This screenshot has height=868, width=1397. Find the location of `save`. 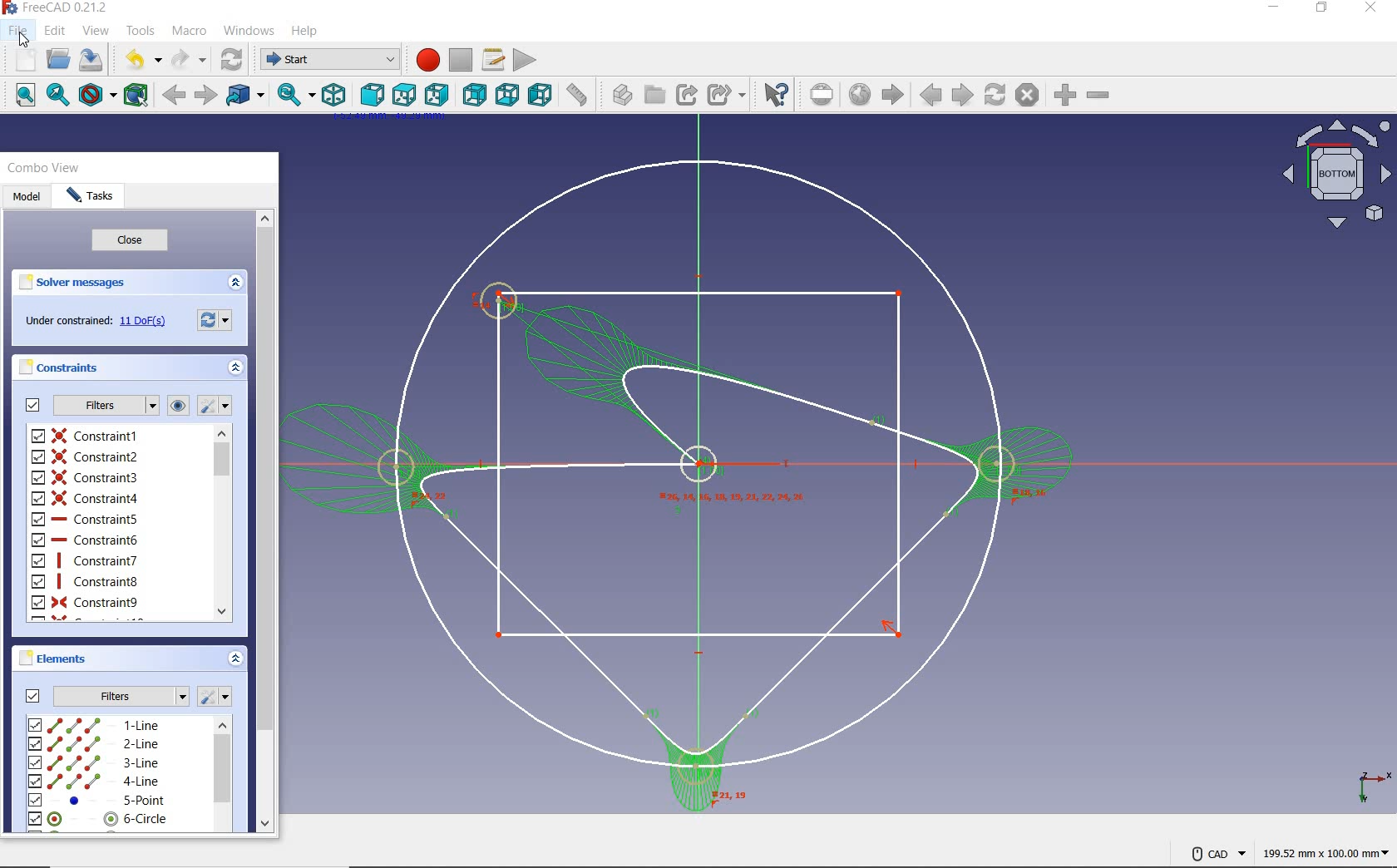

save is located at coordinates (93, 62).